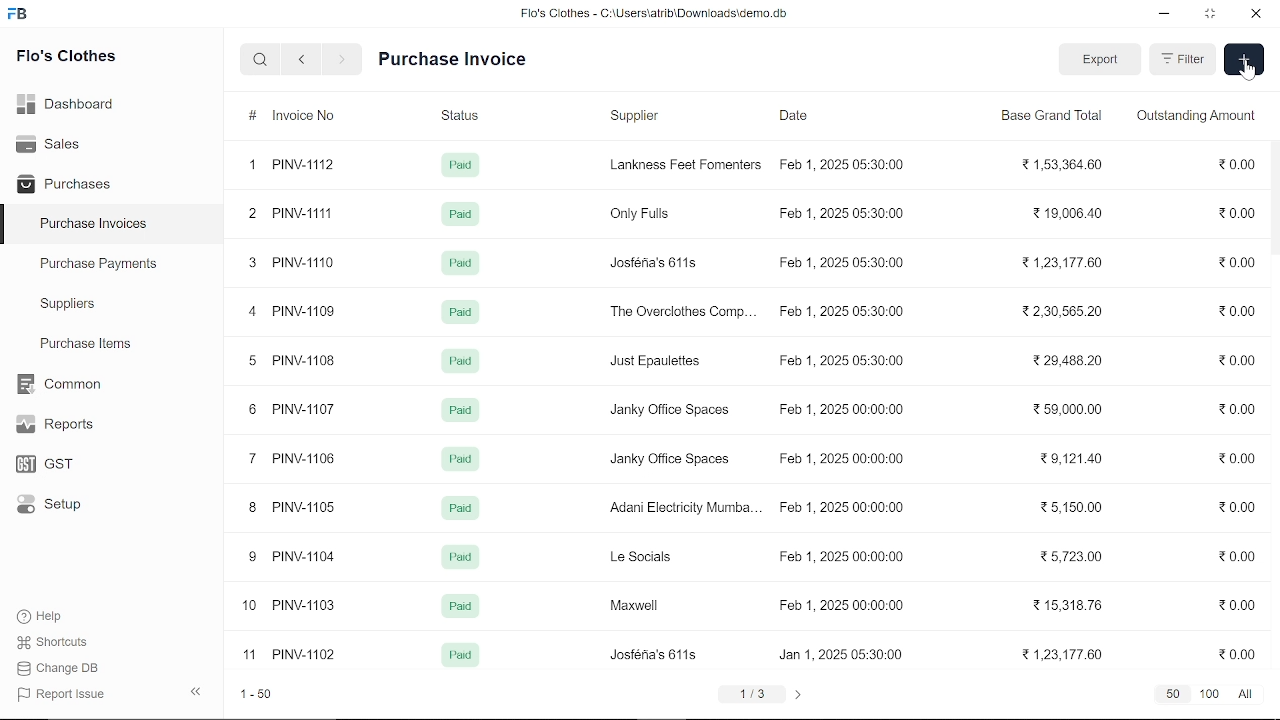 This screenshot has height=720, width=1280. What do you see at coordinates (459, 117) in the screenshot?
I see `Status` at bounding box center [459, 117].